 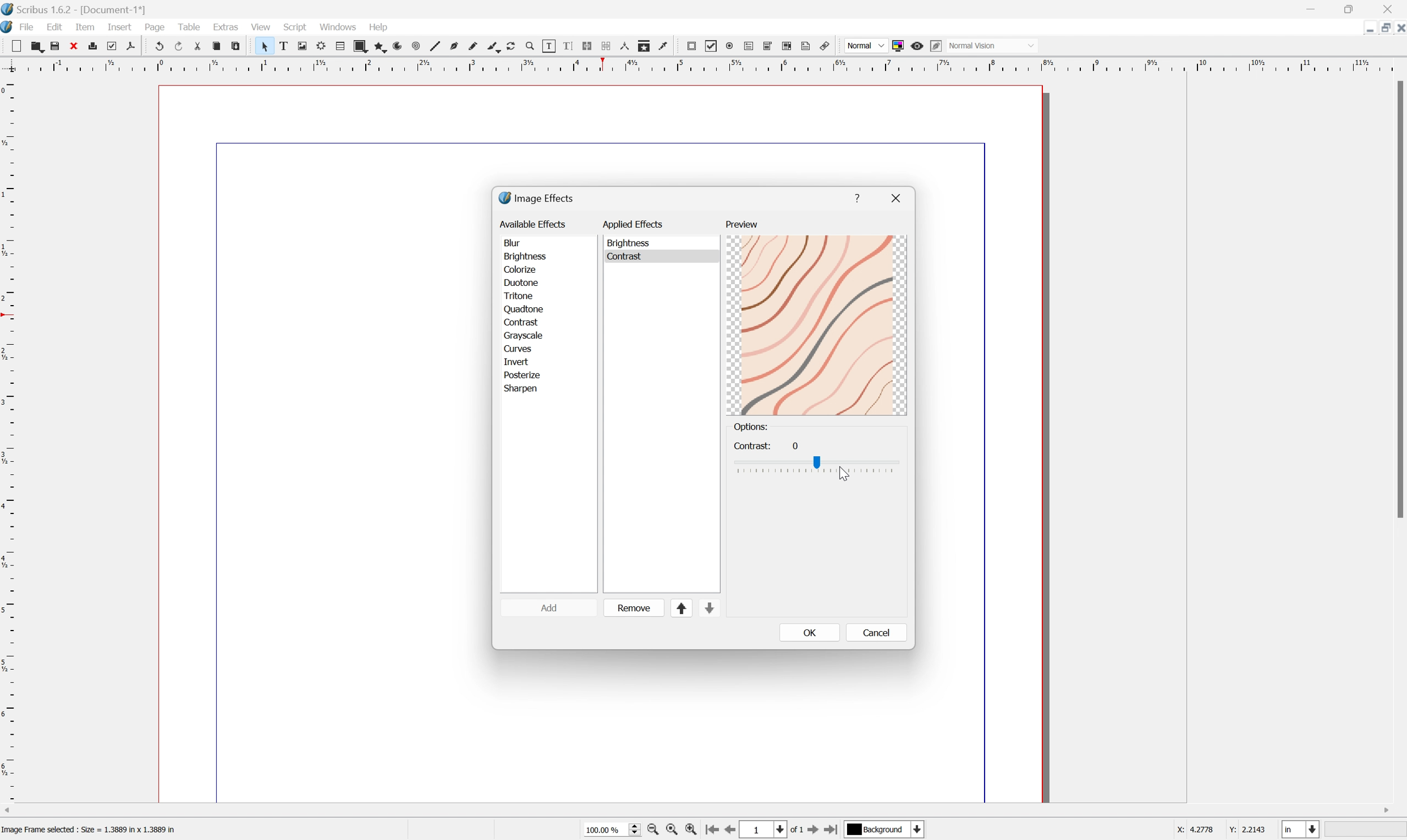 I want to click on brightness, so click(x=526, y=256).